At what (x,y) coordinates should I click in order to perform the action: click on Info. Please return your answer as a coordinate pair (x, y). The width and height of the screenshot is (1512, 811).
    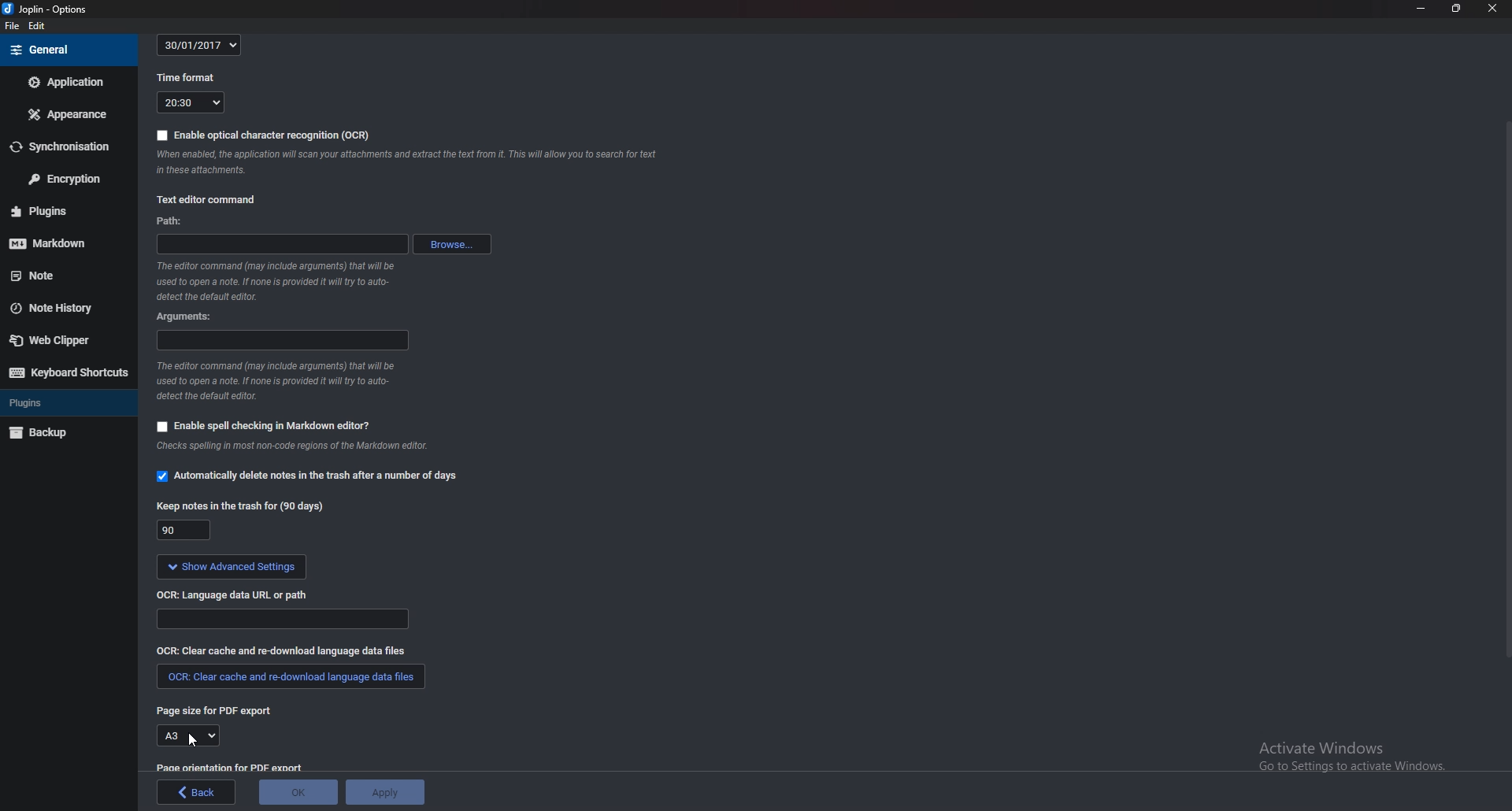
    Looking at the image, I should click on (283, 383).